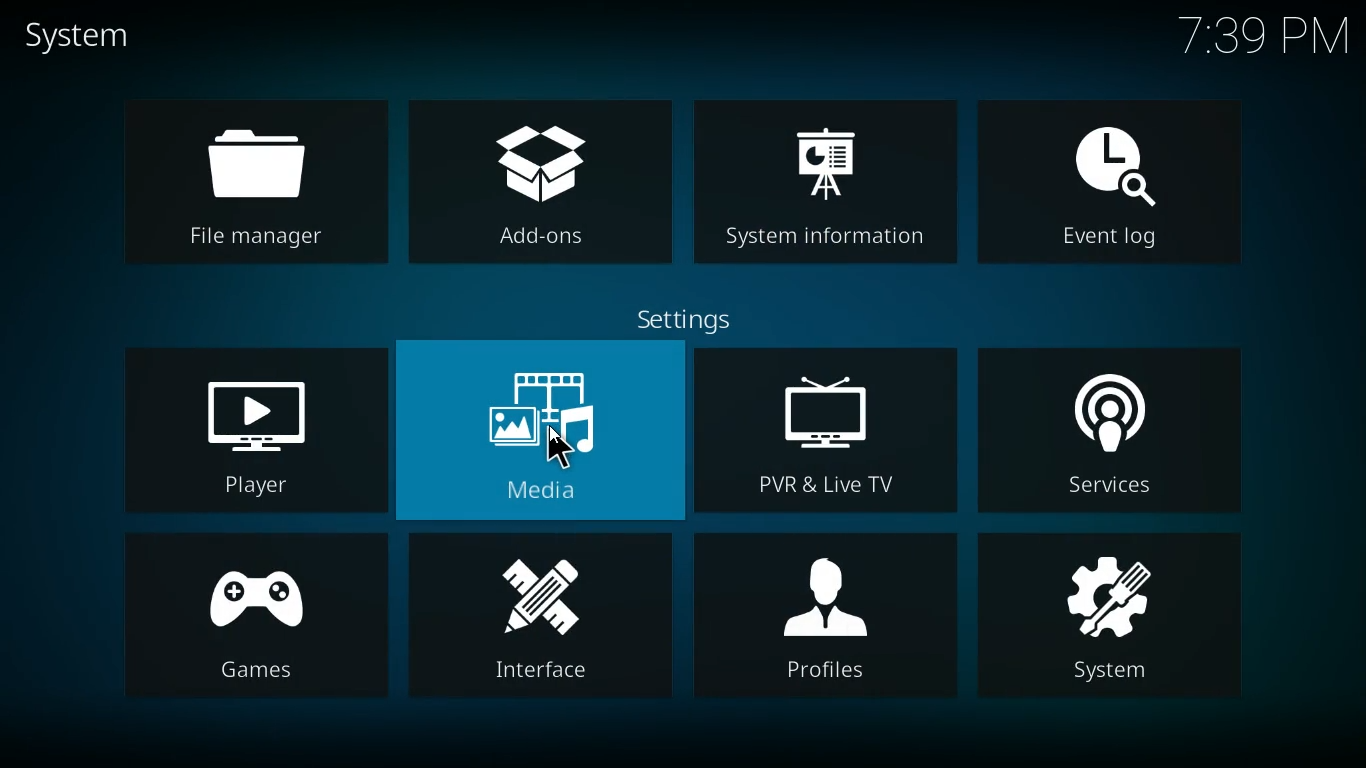  What do you see at coordinates (539, 178) in the screenshot?
I see `add-ons` at bounding box center [539, 178].